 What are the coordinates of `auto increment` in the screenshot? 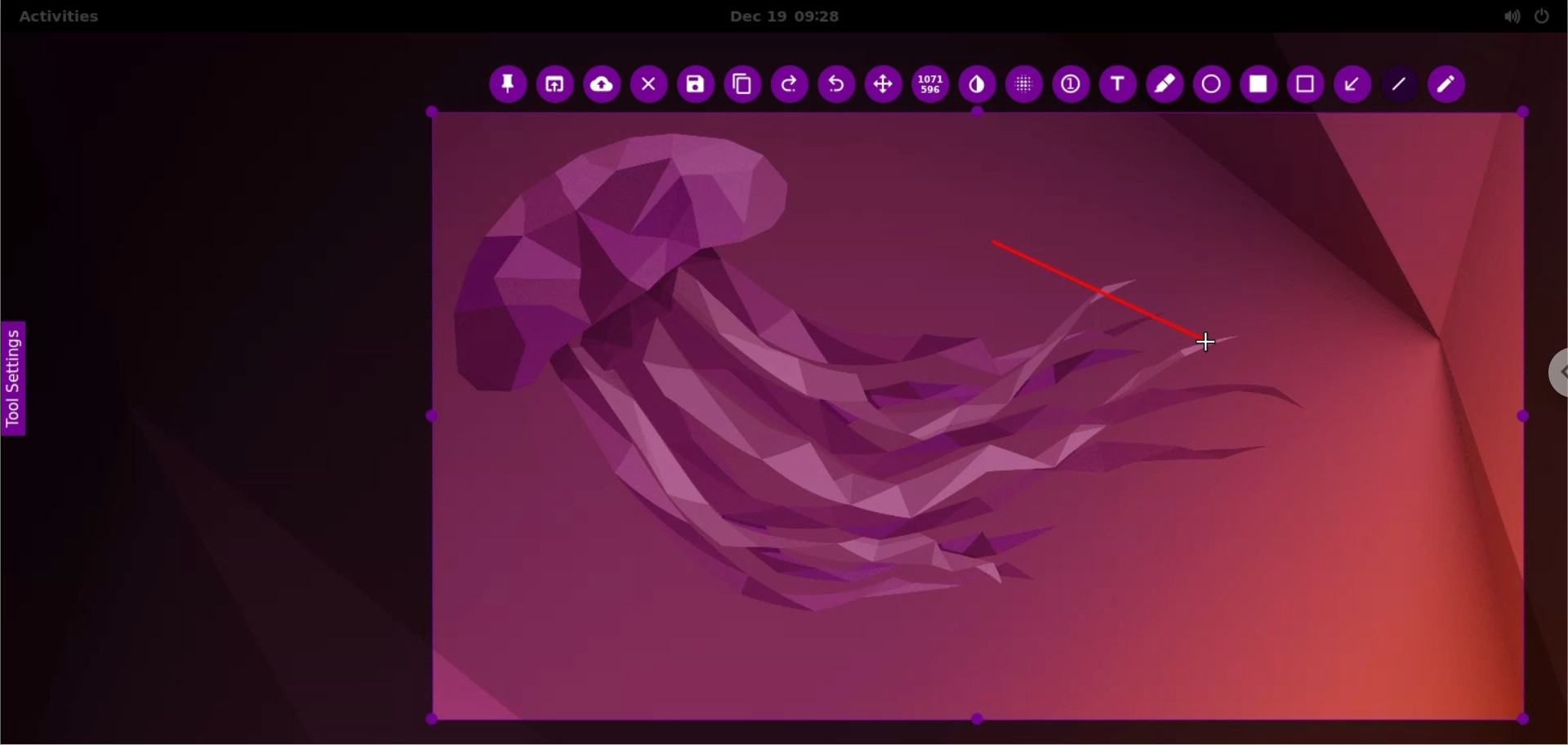 It's located at (1070, 87).